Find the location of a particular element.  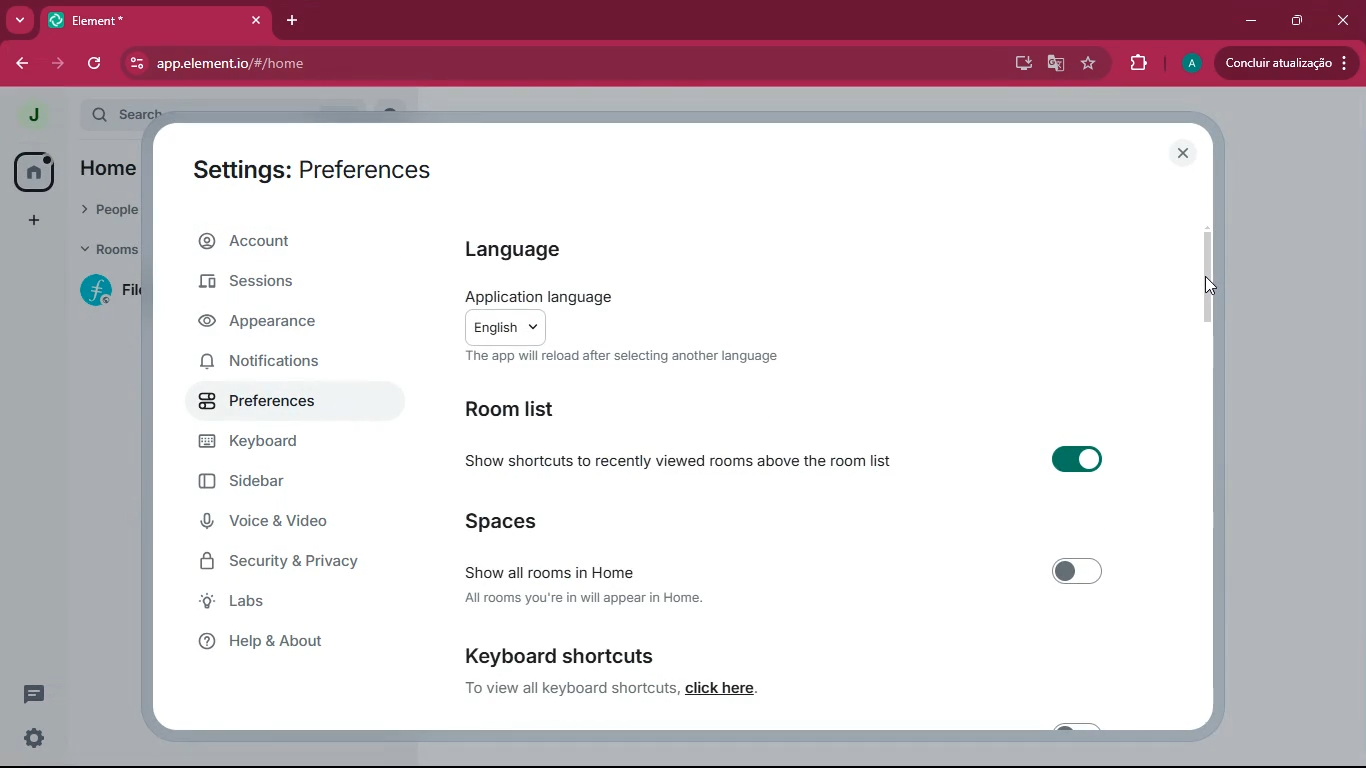

profile is located at coordinates (1191, 63).